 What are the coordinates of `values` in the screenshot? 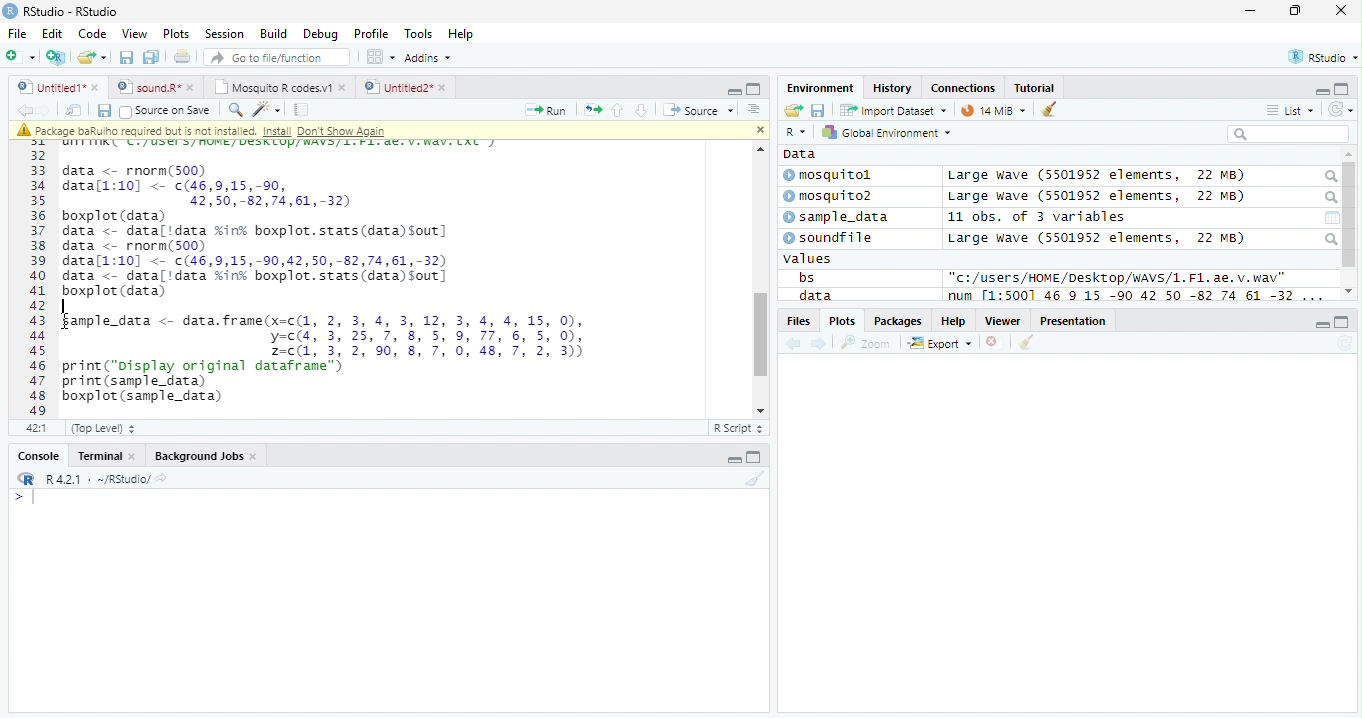 It's located at (808, 259).